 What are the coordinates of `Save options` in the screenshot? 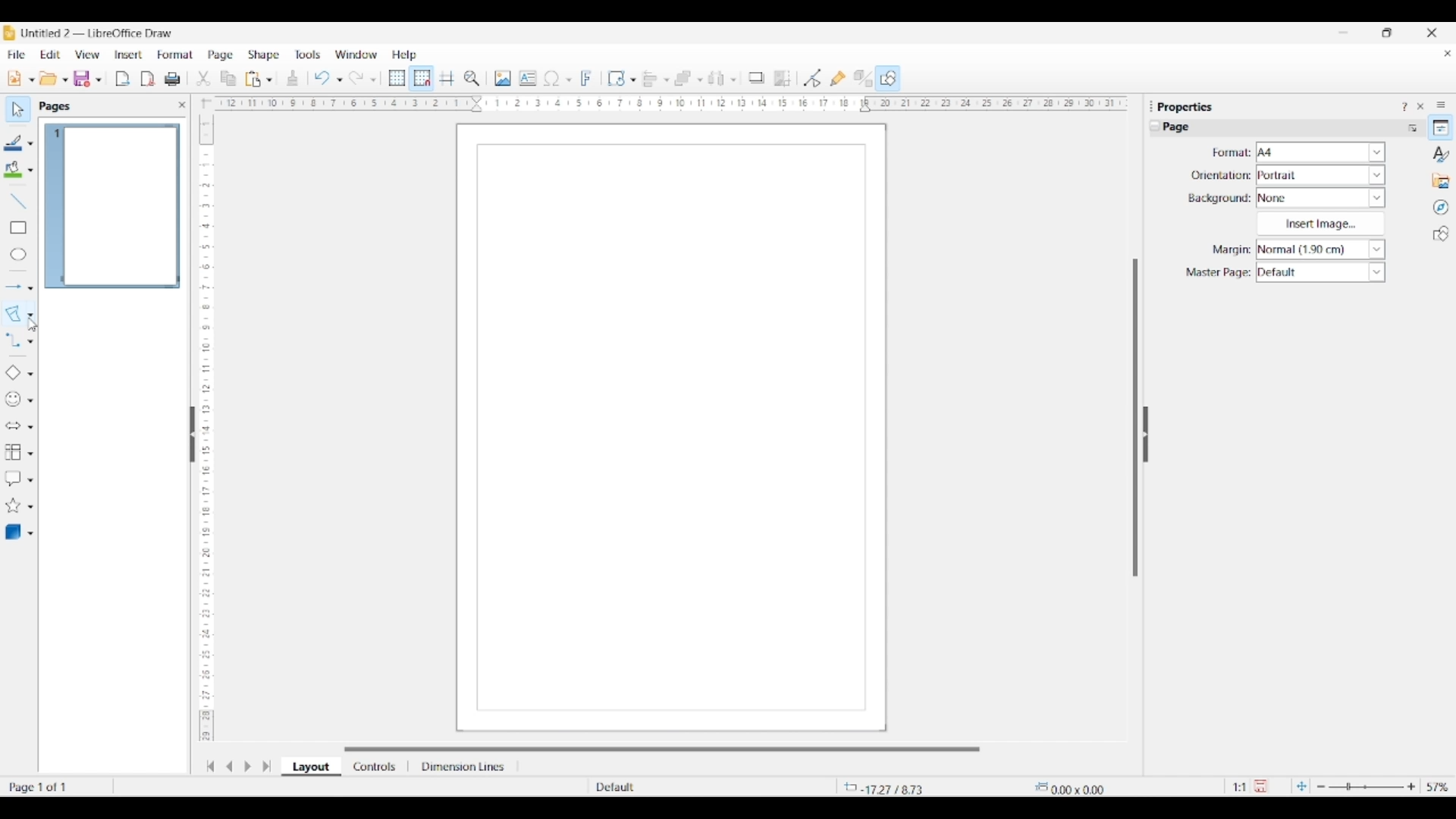 It's located at (99, 80).